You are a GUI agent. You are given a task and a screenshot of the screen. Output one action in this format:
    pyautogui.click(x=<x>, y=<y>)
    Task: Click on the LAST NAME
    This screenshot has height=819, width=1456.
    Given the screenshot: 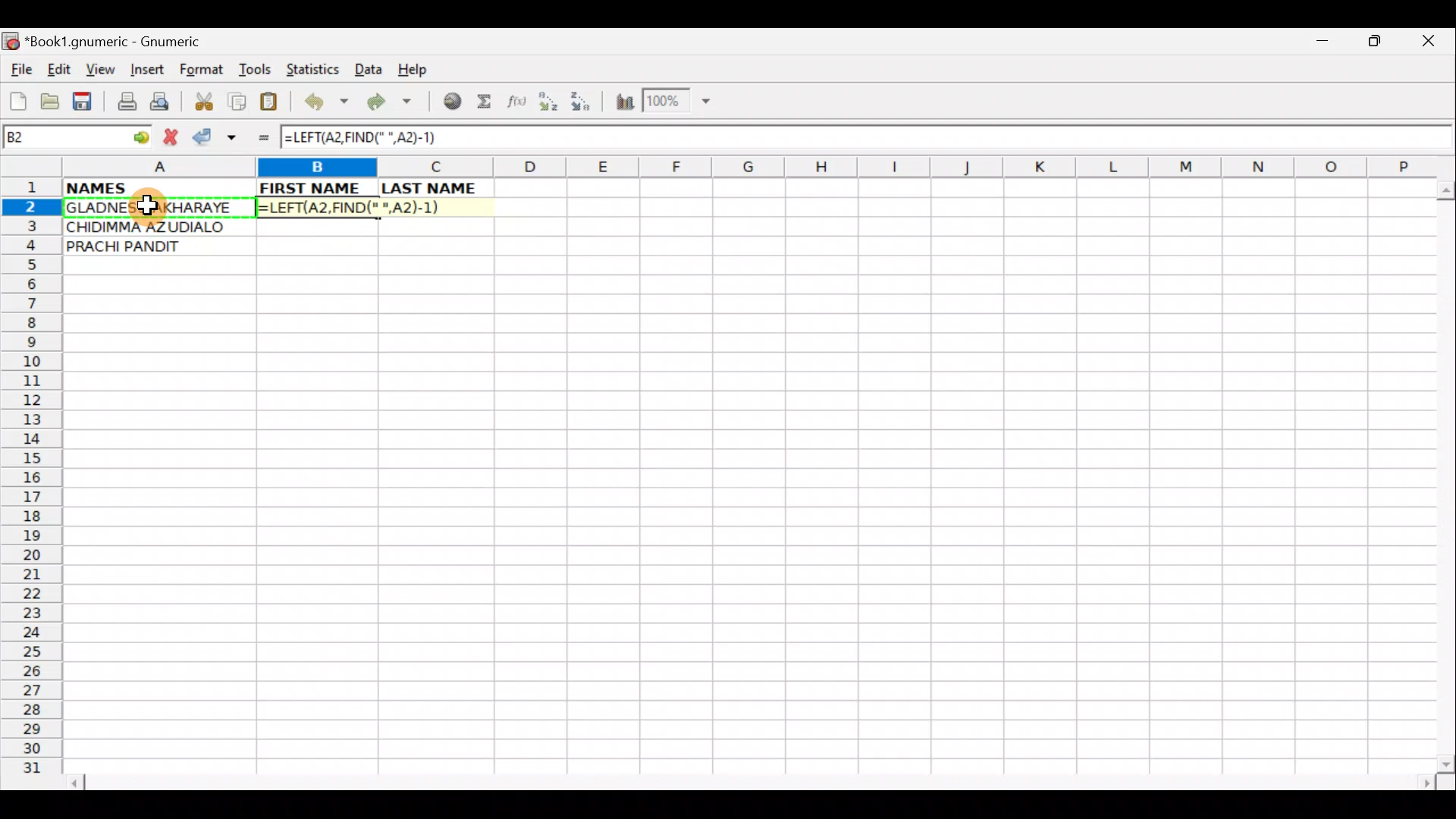 What is the action you would take?
    pyautogui.click(x=436, y=187)
    